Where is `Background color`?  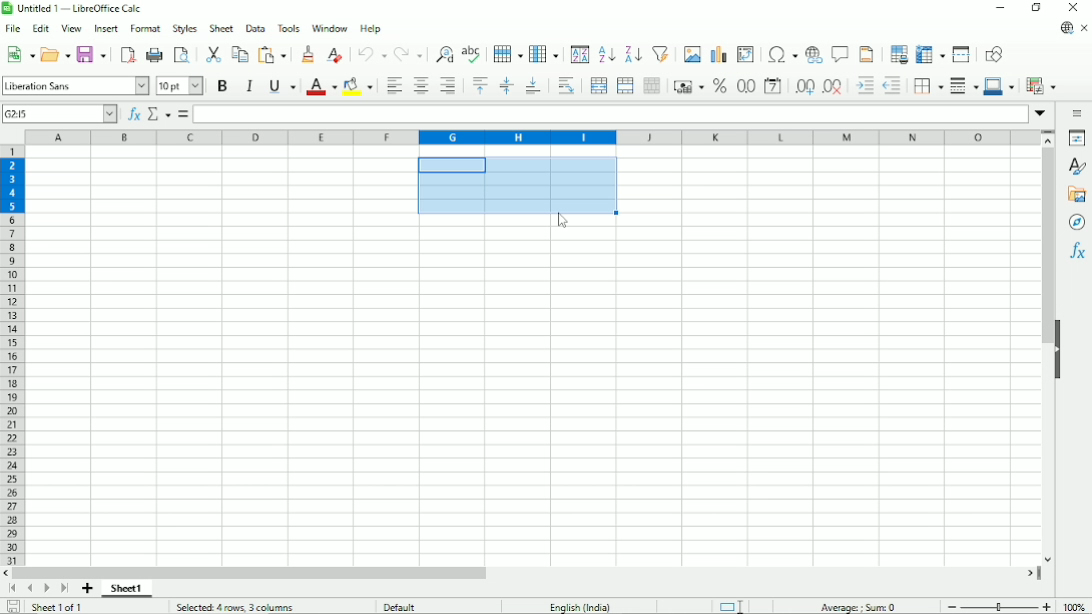
Background color is located at coordinates (358, 86).